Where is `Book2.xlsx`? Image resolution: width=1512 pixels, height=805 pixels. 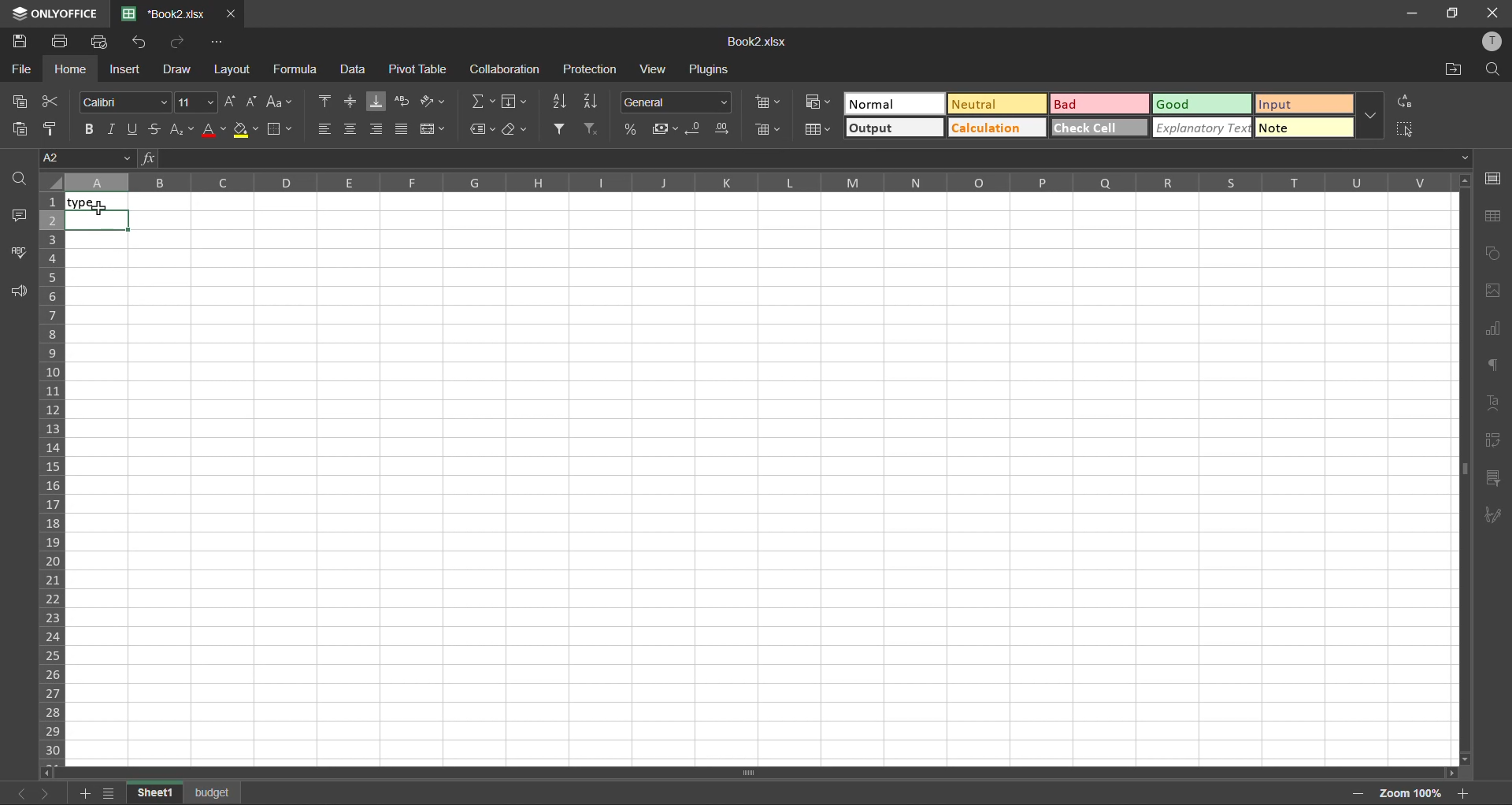 Book2.xlsx is located at coordinates (752, 43).